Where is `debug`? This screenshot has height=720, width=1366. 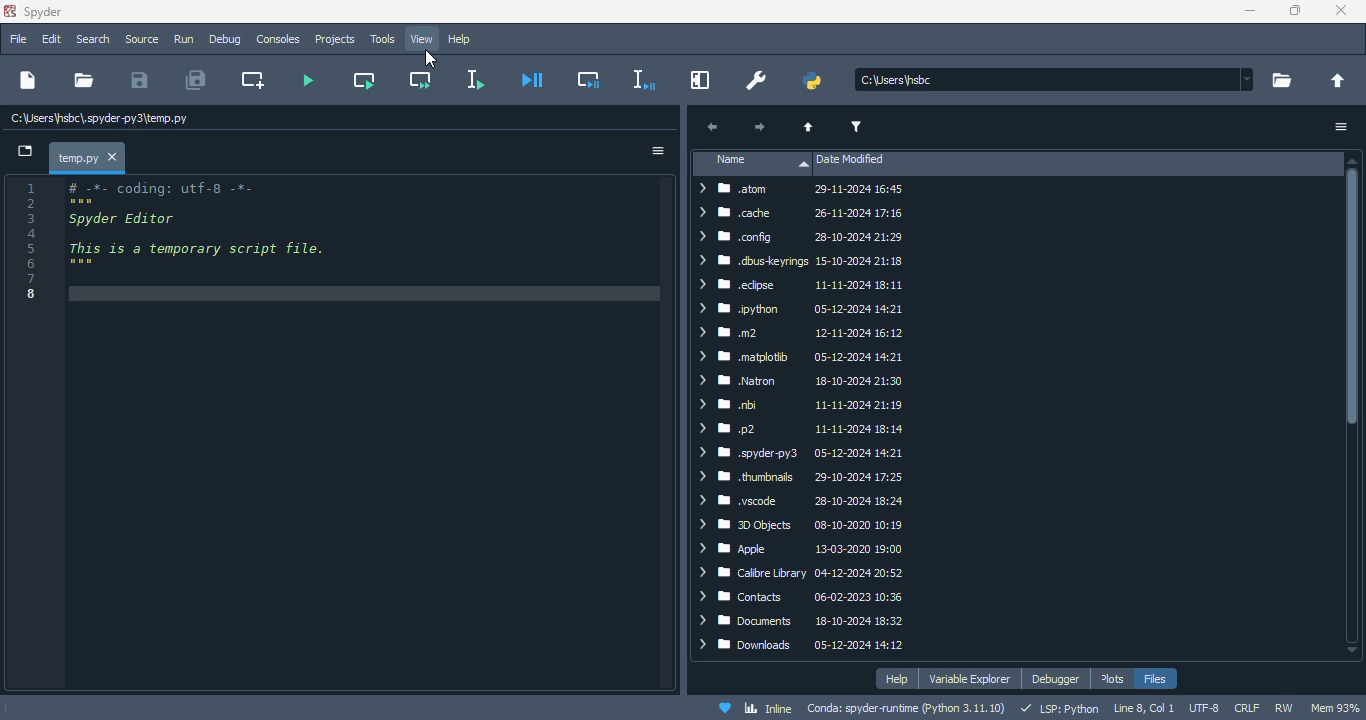 debug is located at coordinates (225, 38).